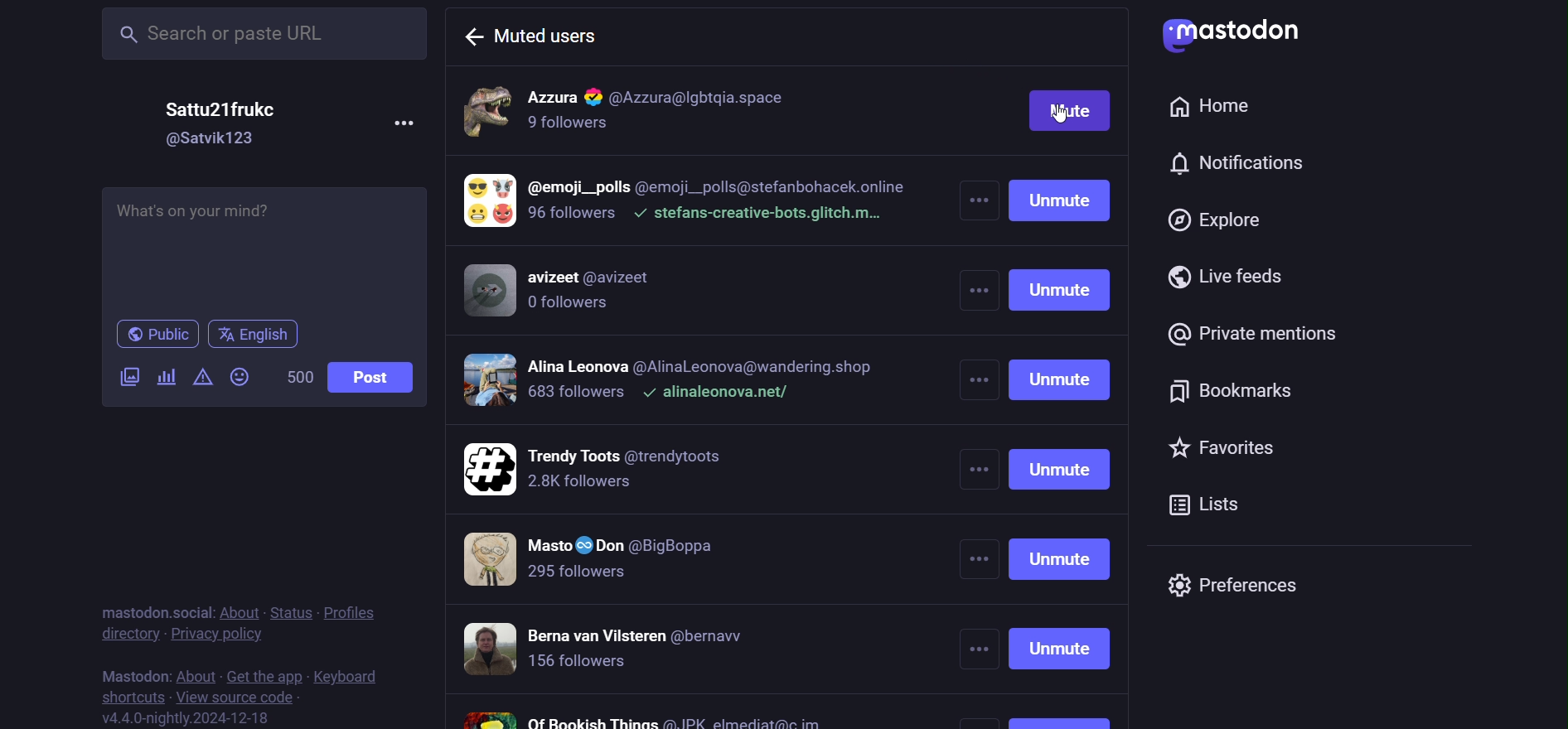 The width and height of the screenshot is (1568, 729). What do you see at coordinates (1236, 36) in the screenshot?
I see `logo` at bounding box center [1236, 36].